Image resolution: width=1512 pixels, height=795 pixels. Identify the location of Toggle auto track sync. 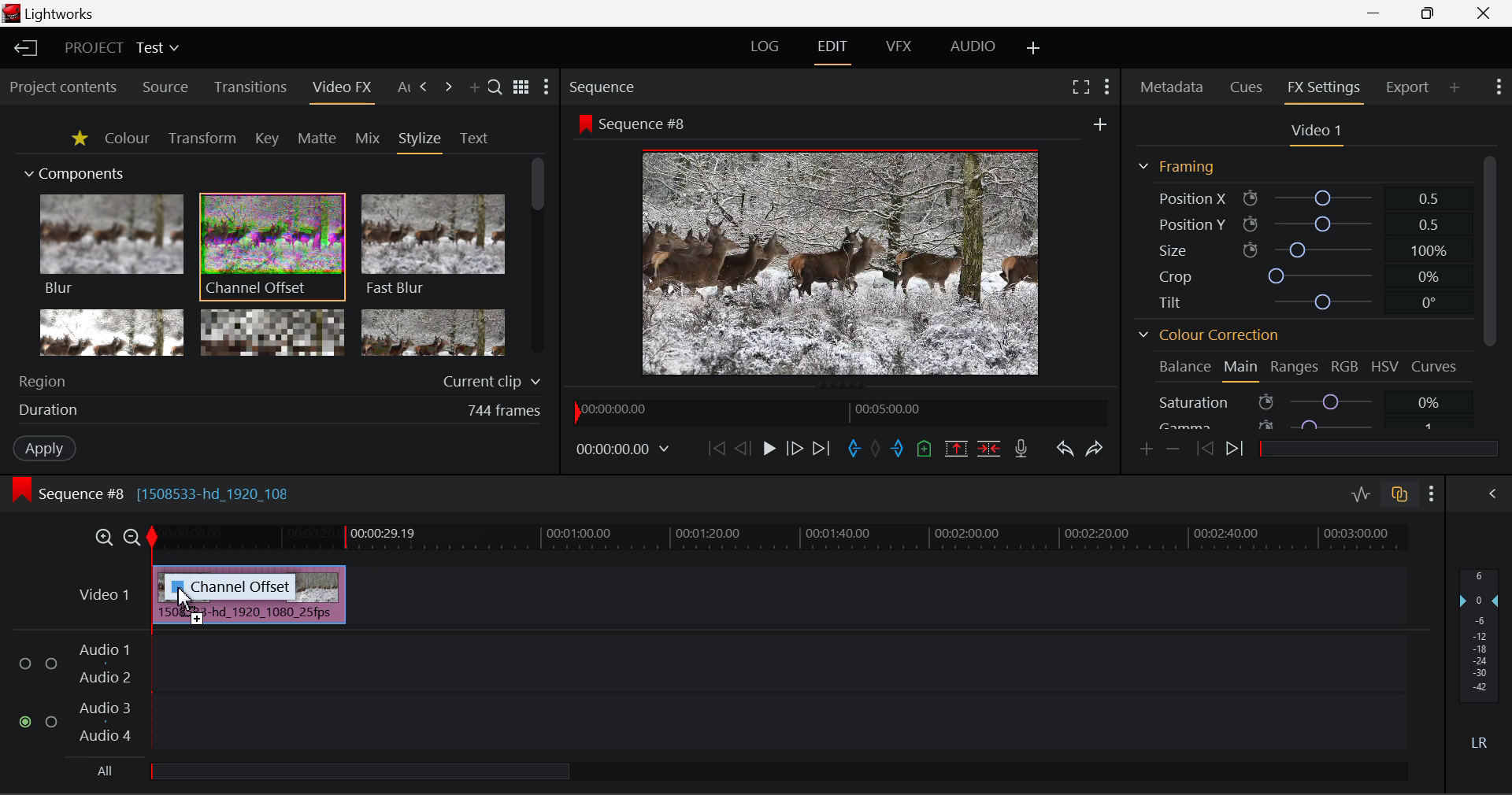
(1398, 494).